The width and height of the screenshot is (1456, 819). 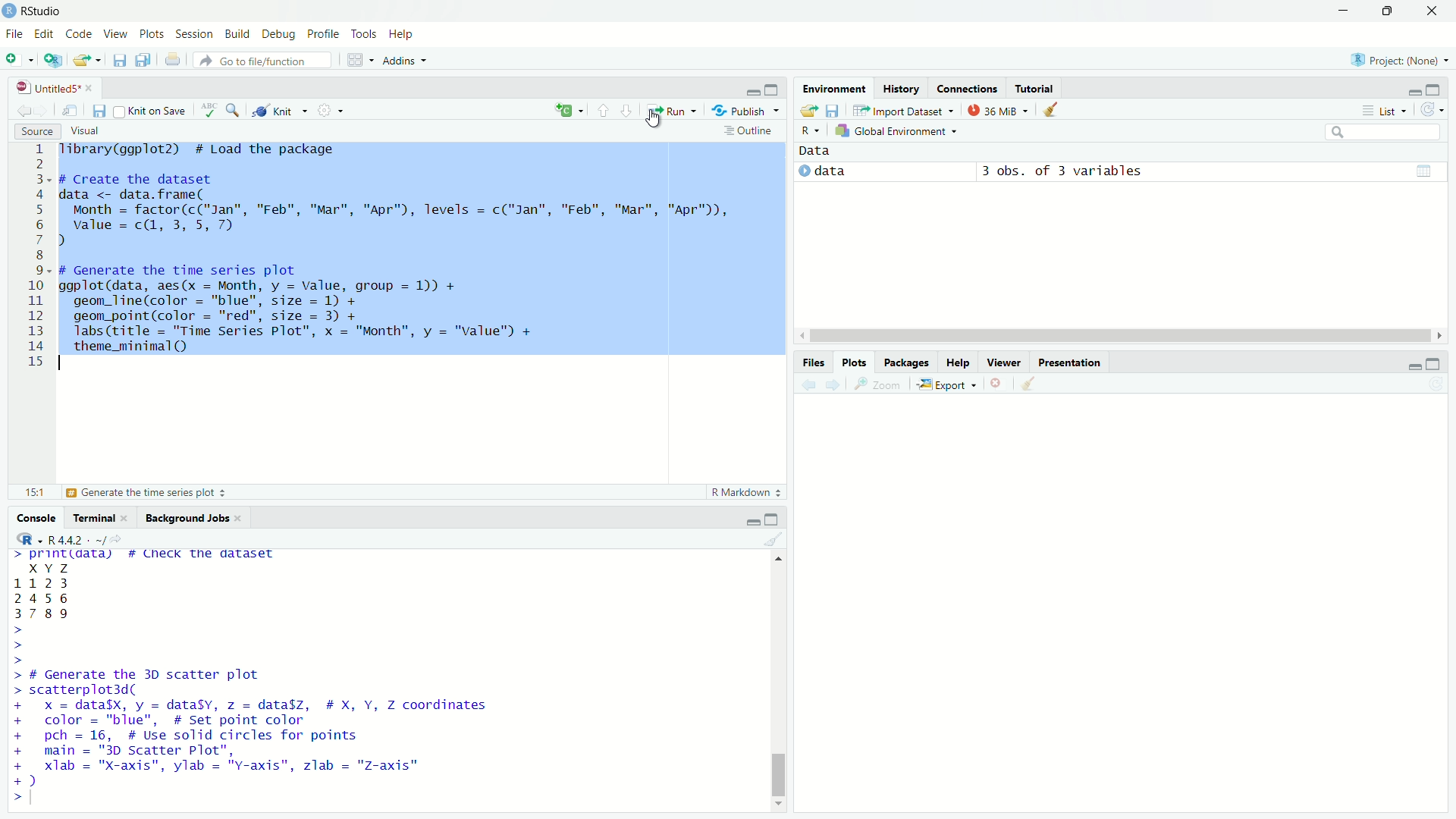 What do you see at coordinates (241, 516) in the screenshot?
I see `close` at bounding box center [241, 516].